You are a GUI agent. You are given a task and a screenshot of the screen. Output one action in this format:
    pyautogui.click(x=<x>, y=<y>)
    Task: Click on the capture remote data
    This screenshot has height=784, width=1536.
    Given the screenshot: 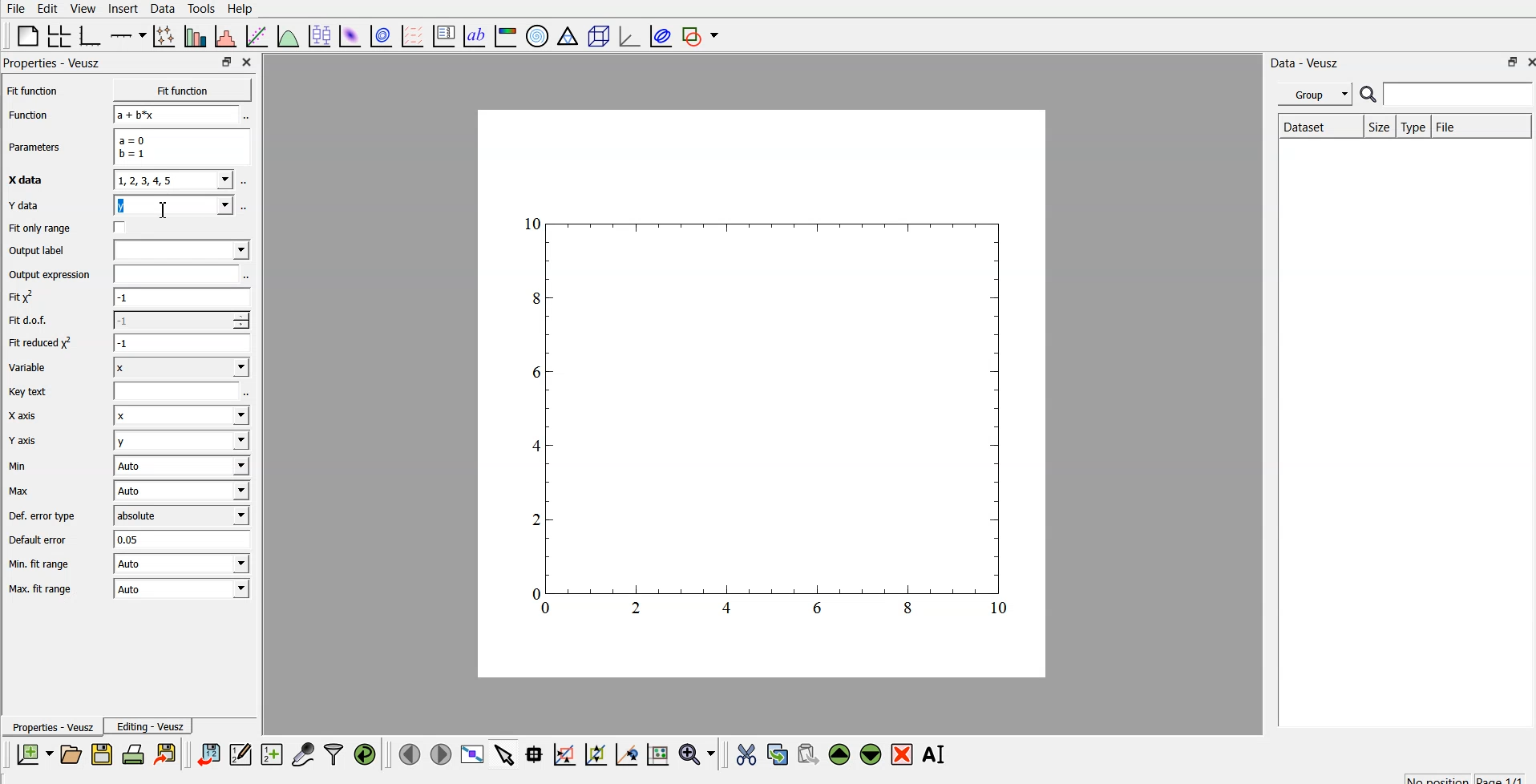 What is the action you would take?
    pyautogui.click(x=305, y=755)
    